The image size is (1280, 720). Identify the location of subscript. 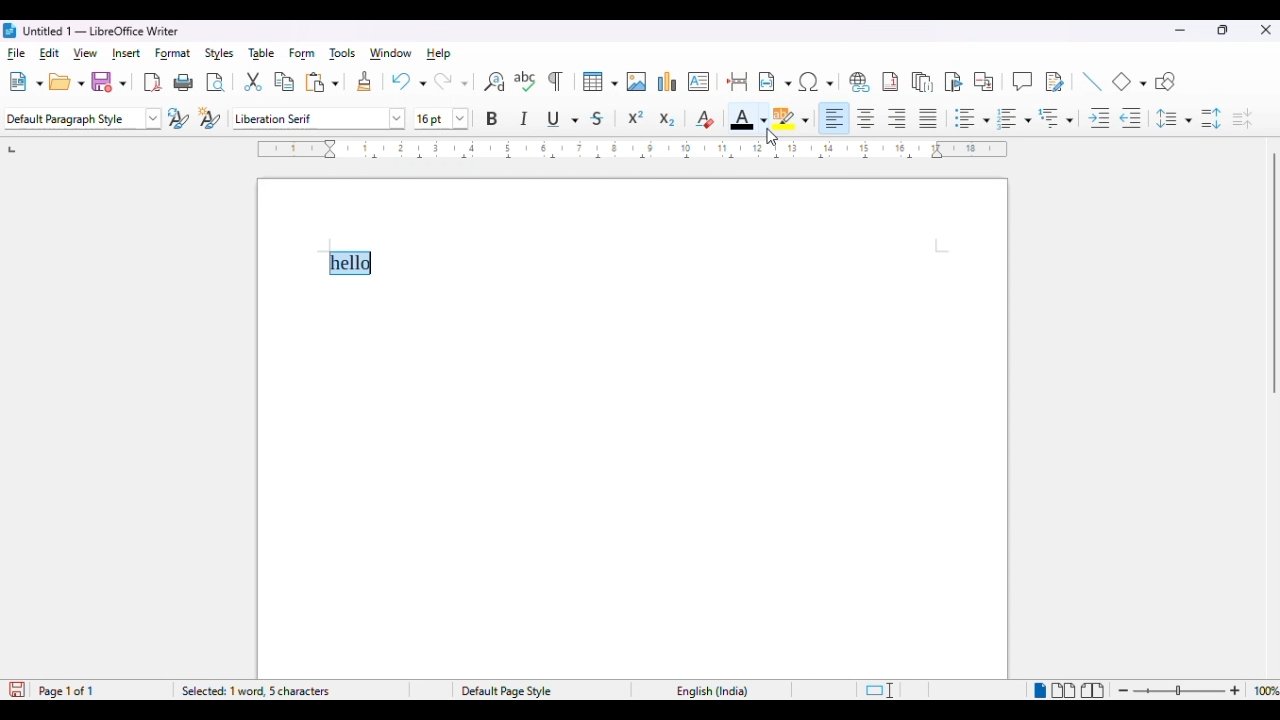
(666, 120).